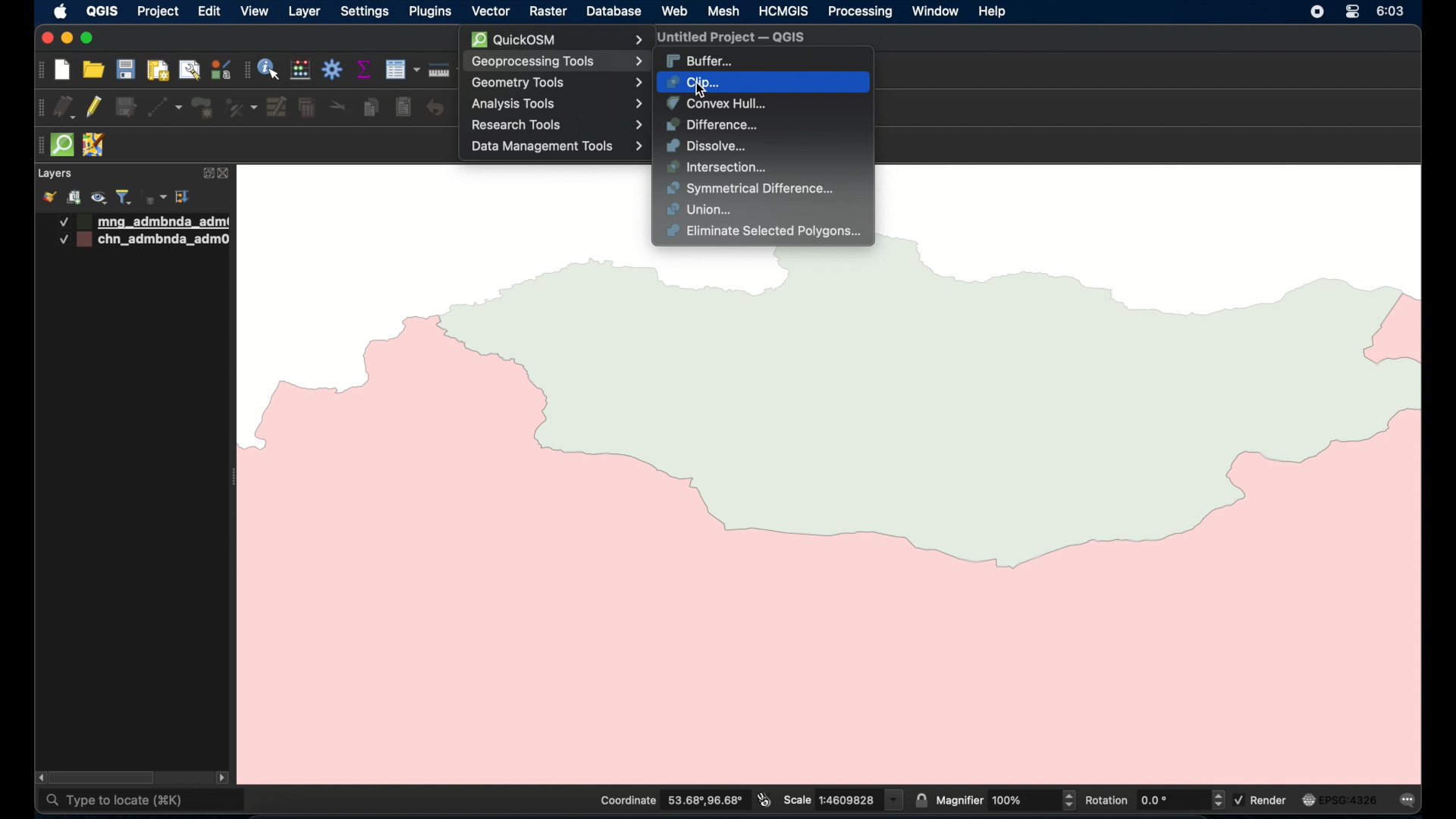 The height and width of the screenshot is (819, 1456). I want to click on expand, so click(206, 174).